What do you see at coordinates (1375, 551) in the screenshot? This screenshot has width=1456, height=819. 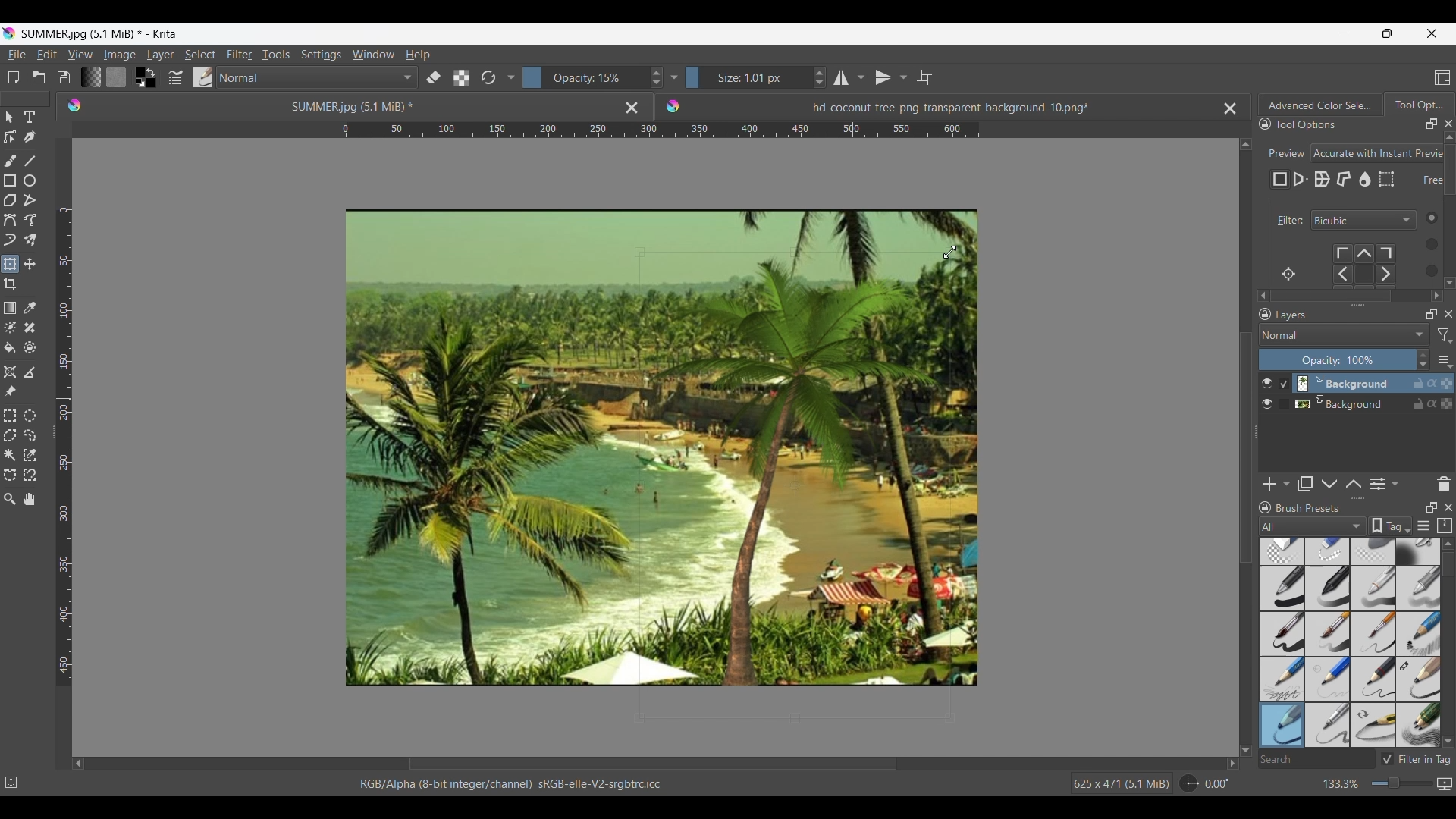 I see `Eraser soft` at bounding box center [1375, 551].